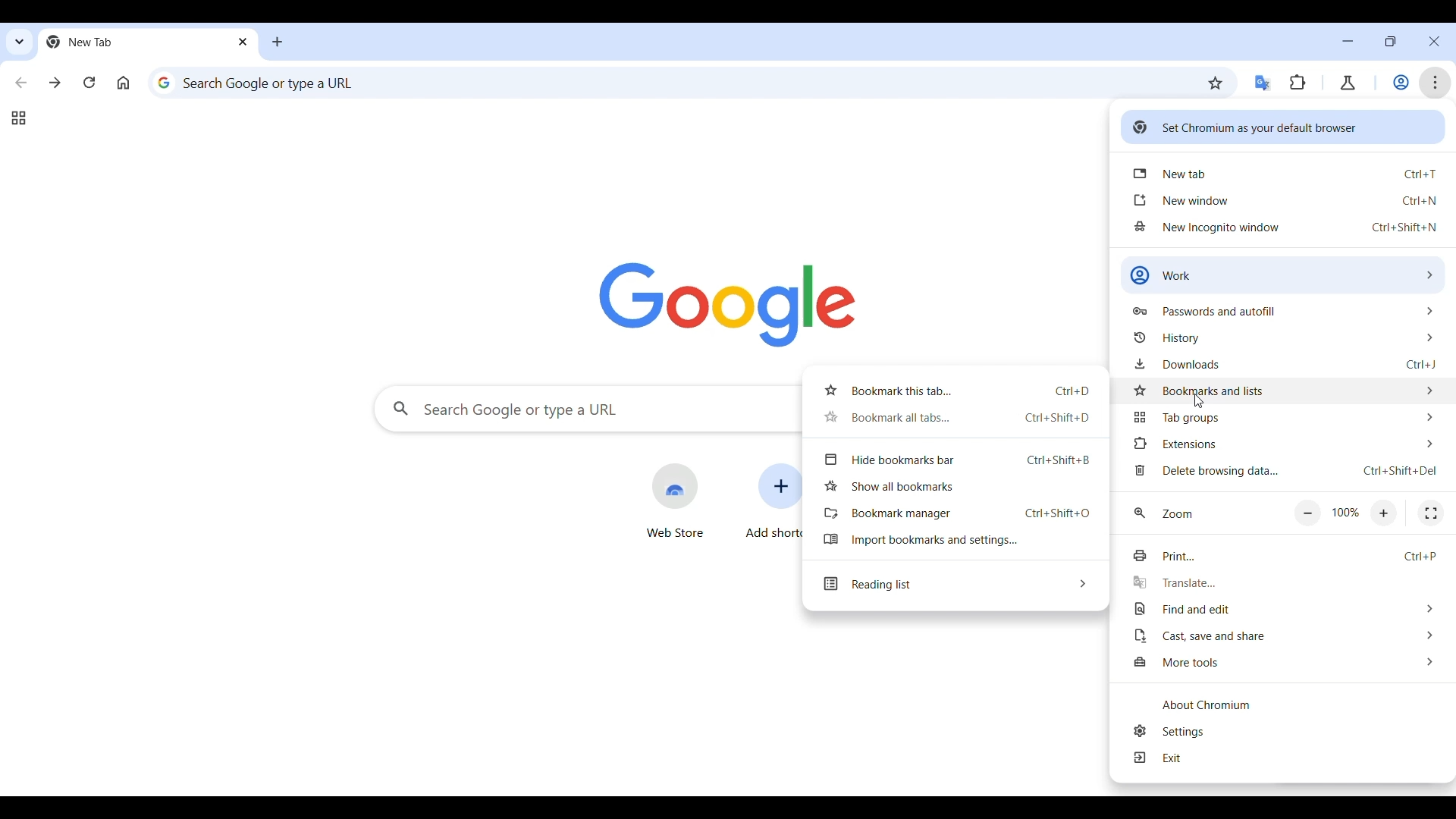  What do you see at coordinates (278, 42) in the screenshot?
I see `Add new tab` at bounding box center [278, 42].